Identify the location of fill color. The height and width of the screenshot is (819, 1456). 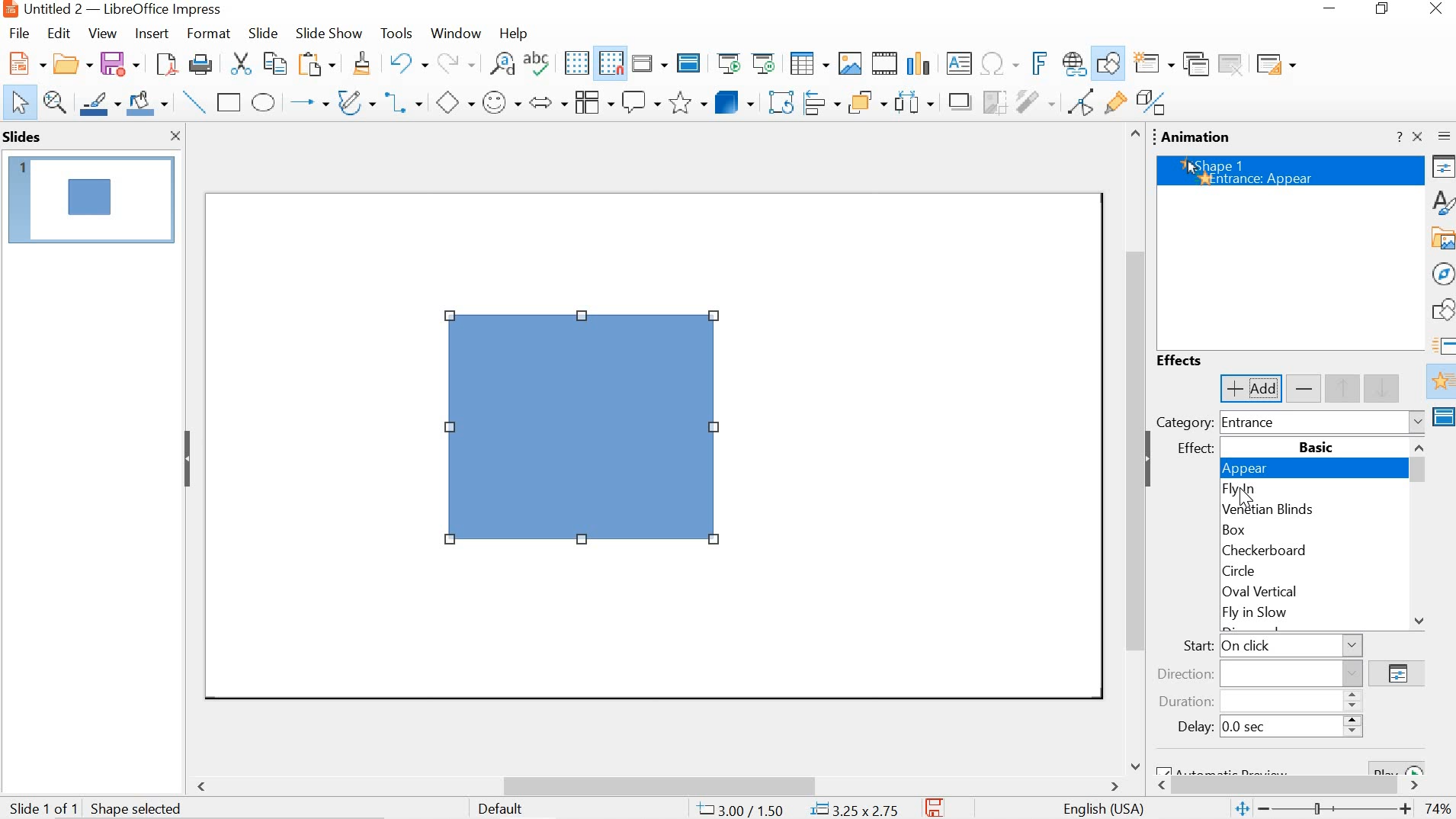
(146, 101).